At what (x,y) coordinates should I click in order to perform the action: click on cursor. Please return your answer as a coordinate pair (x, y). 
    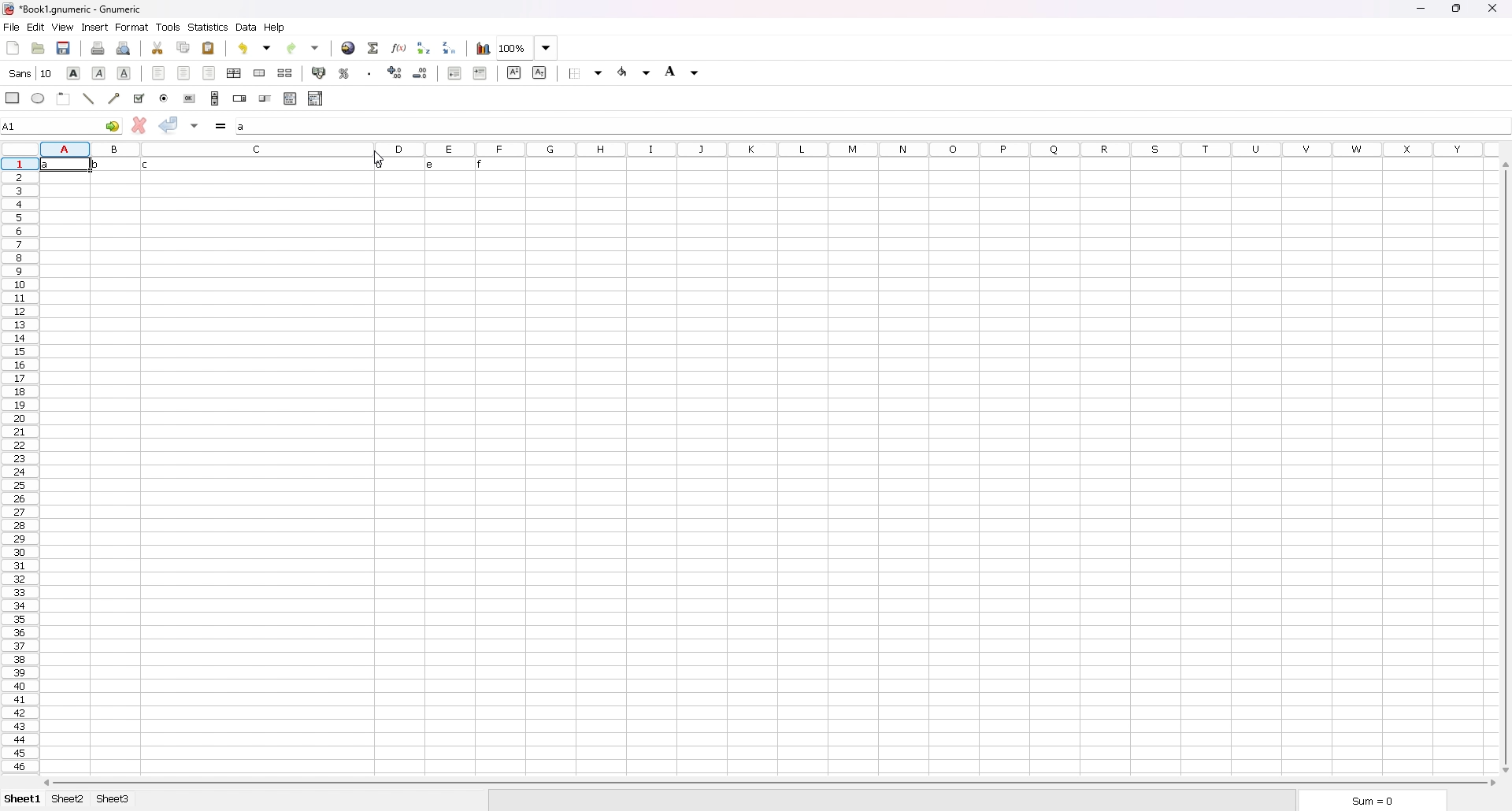
    Looking at the image, I should click on (377, 158).